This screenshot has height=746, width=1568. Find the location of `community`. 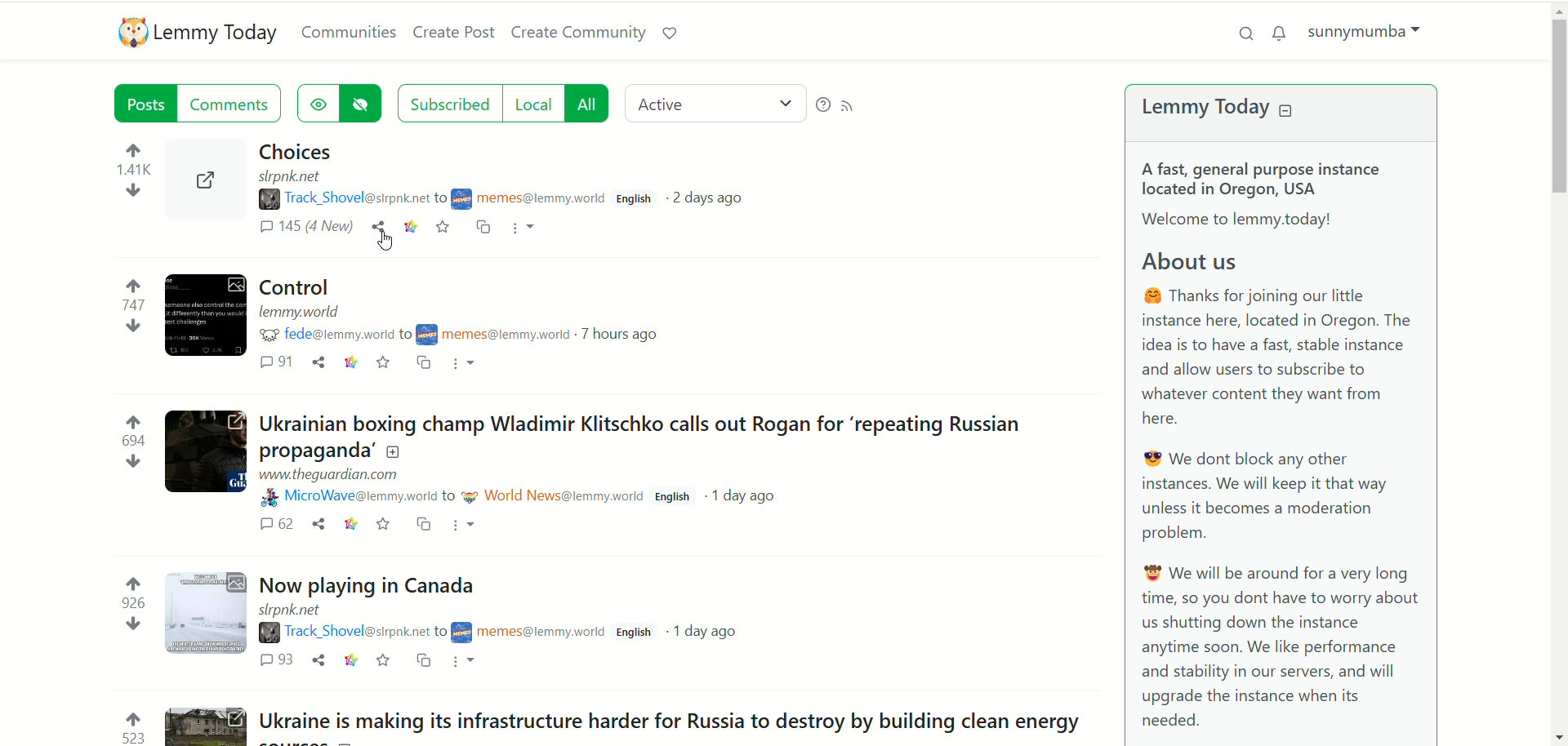

community is located at coordinates (492, 331).